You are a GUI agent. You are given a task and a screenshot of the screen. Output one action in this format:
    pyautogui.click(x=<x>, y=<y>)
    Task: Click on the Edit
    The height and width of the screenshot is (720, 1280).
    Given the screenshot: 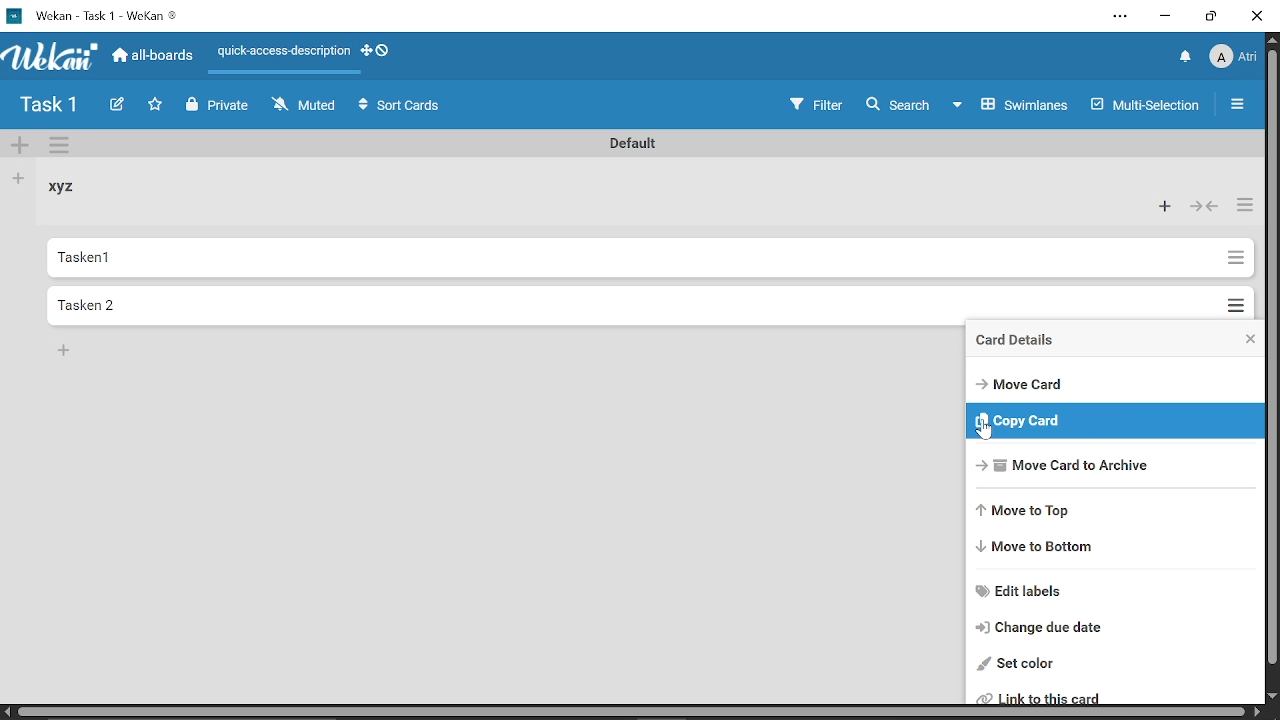 What is the action you would take?
    pyautogui.click(x=118, y=105)
    